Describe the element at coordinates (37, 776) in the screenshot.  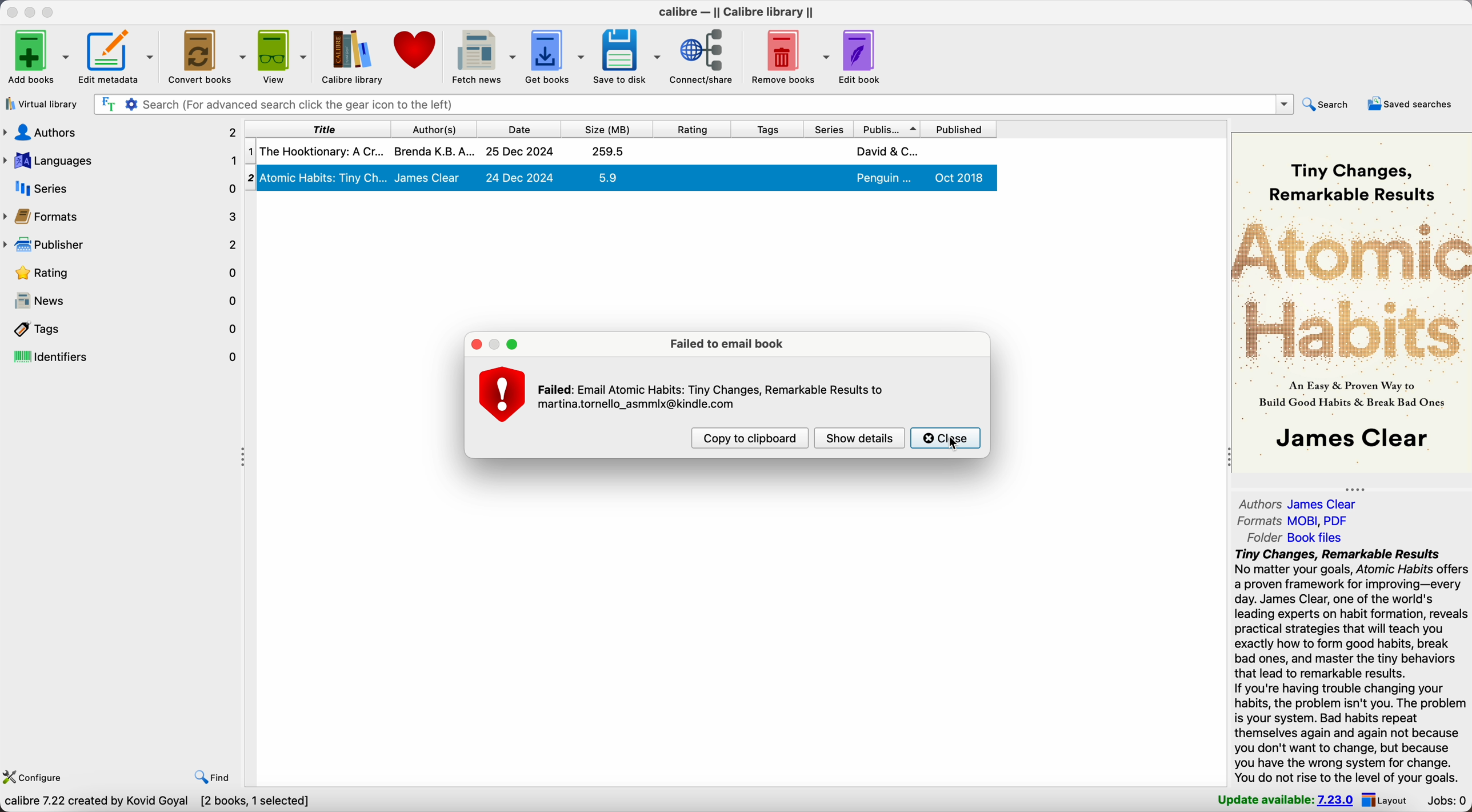
I see `configure` at that location.